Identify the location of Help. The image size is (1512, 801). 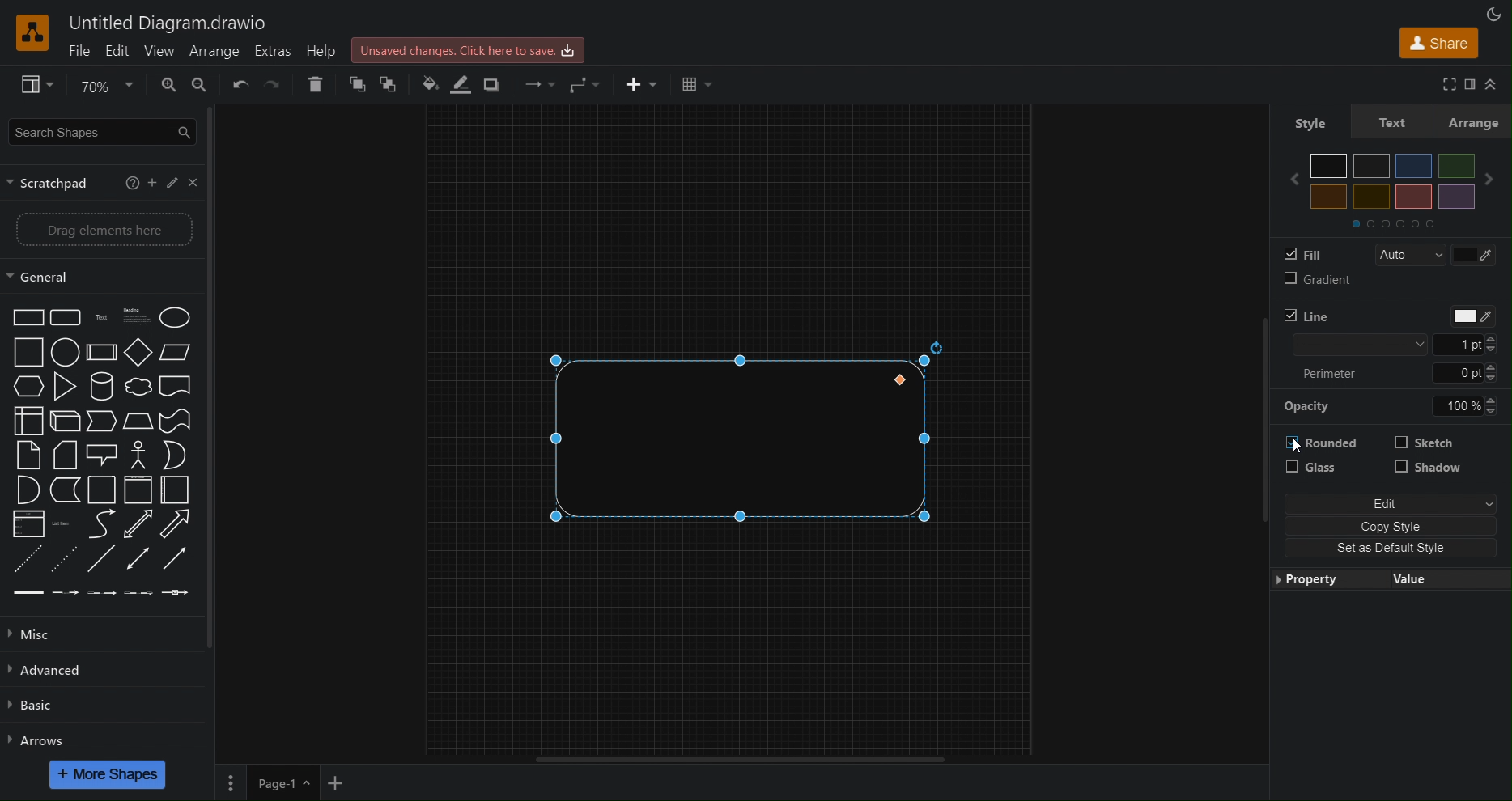
(326, 52).